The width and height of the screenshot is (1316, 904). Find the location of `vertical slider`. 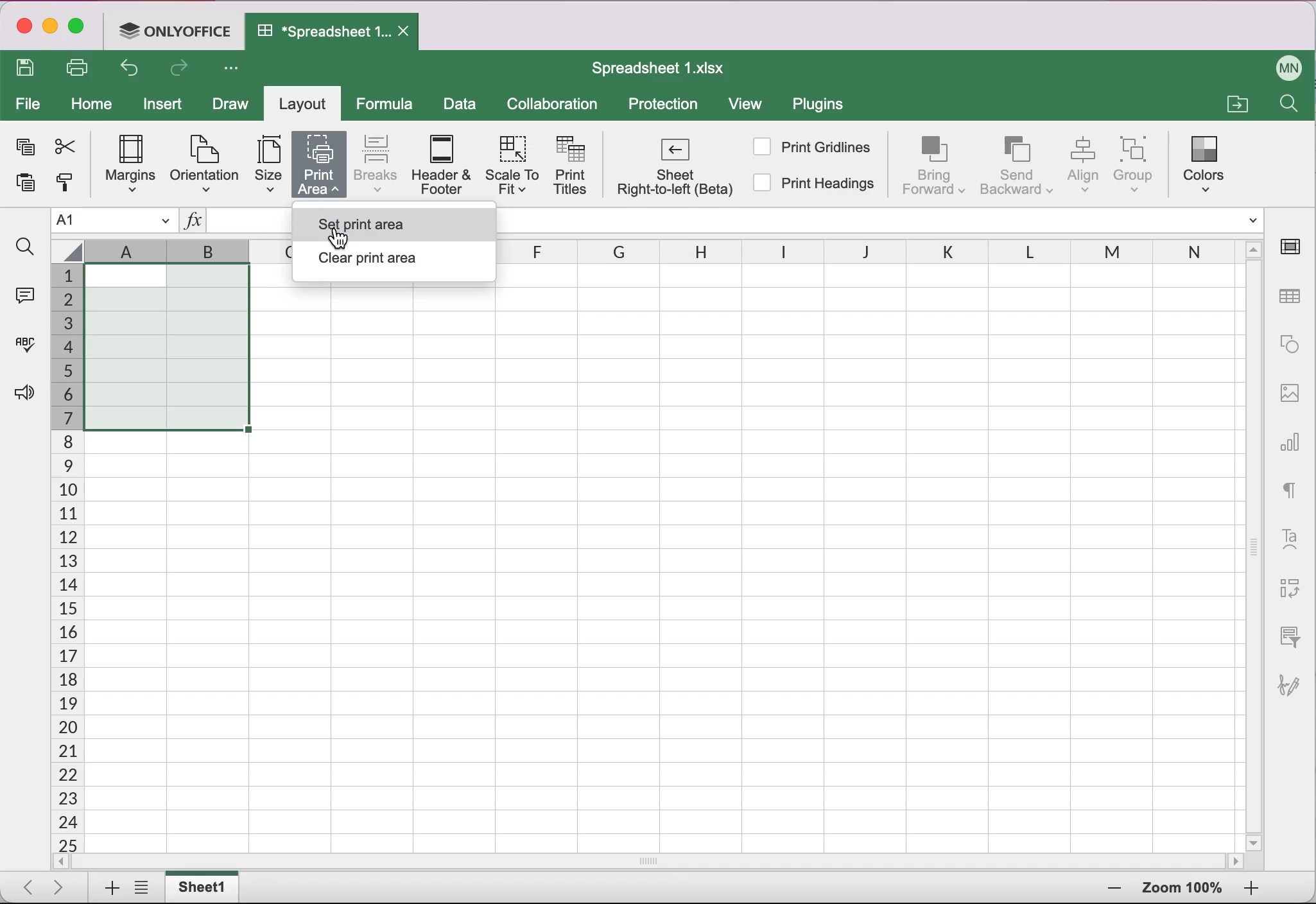

vertical slider is located at coordinates (1254, 540).